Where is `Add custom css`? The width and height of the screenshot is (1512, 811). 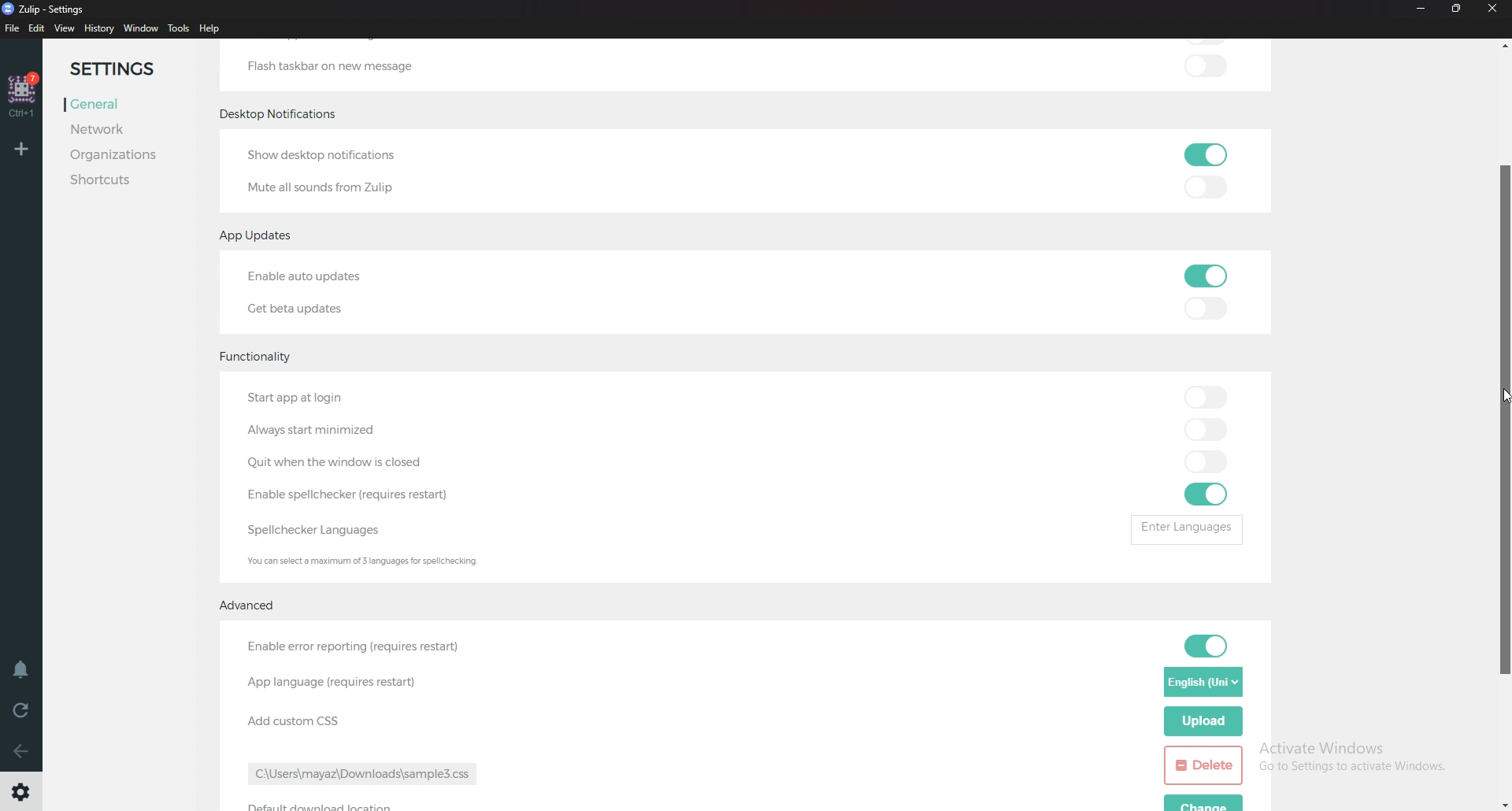 Add custom css is located at coordinates (291, 723).